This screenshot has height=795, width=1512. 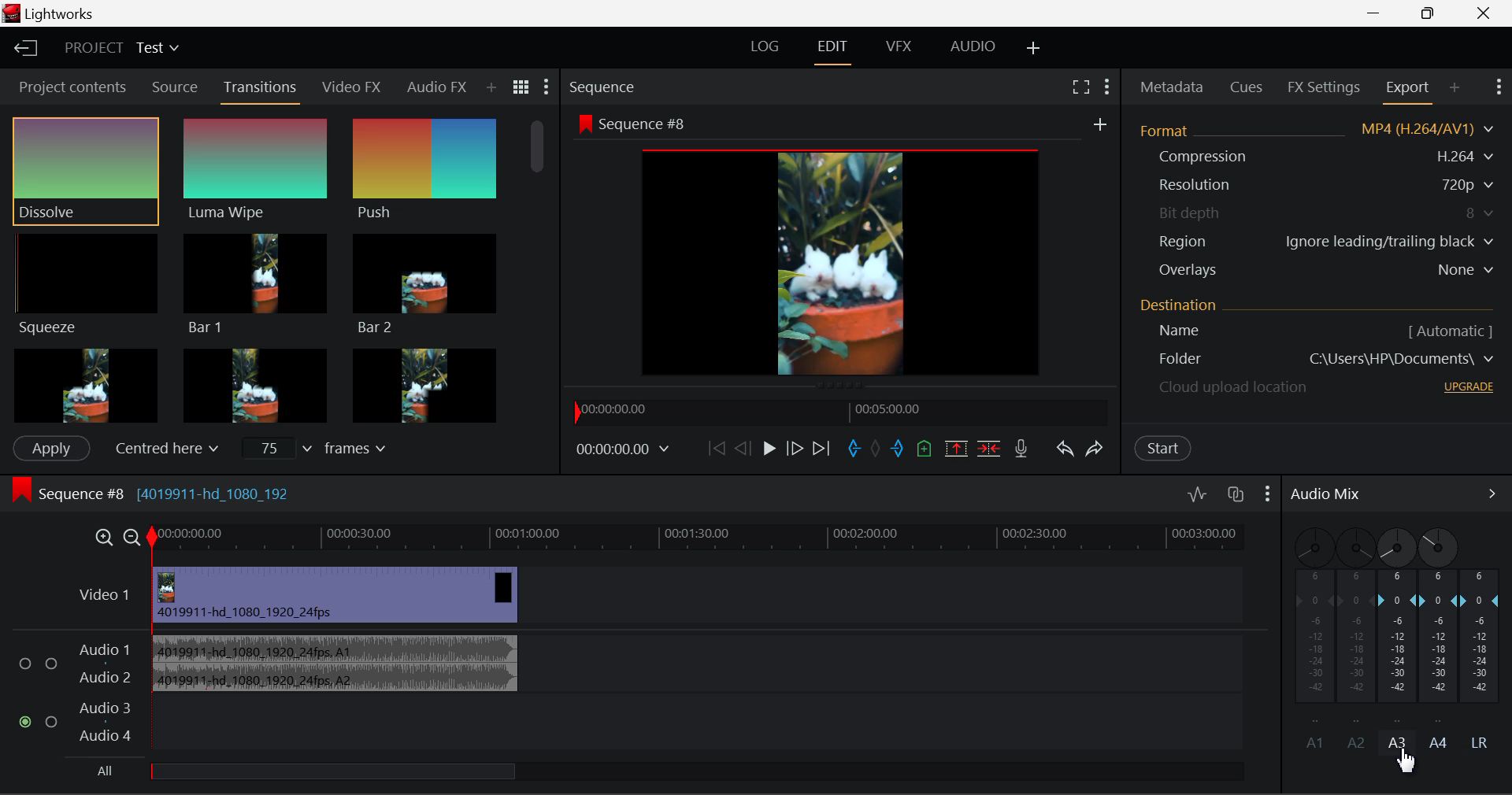 I want to click on Remove all marks, so click(x=875, y=449).